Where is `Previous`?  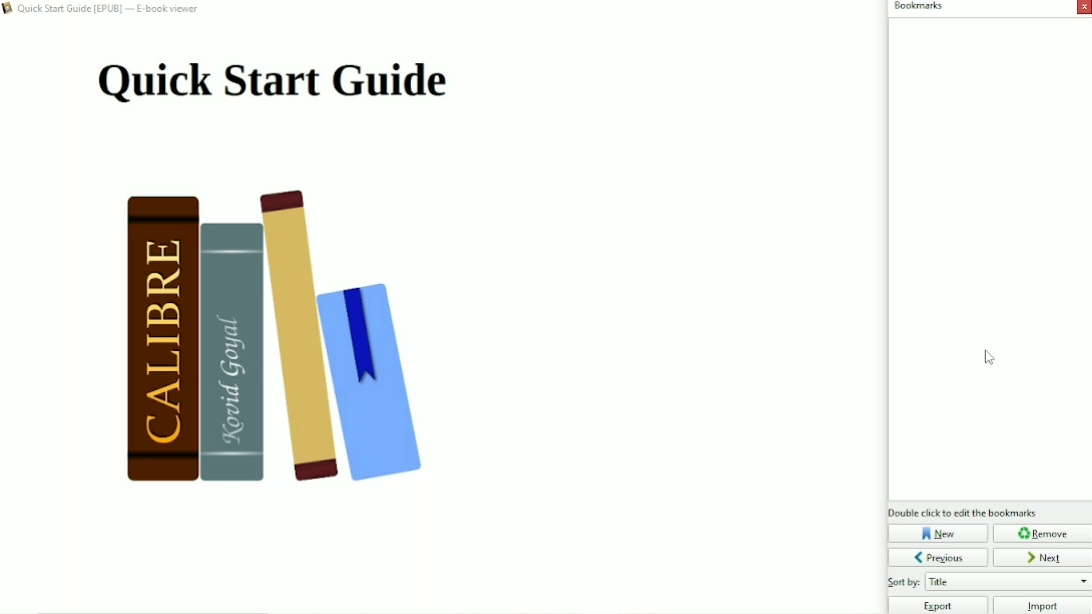
Previous is located at coordinates (938, 557).